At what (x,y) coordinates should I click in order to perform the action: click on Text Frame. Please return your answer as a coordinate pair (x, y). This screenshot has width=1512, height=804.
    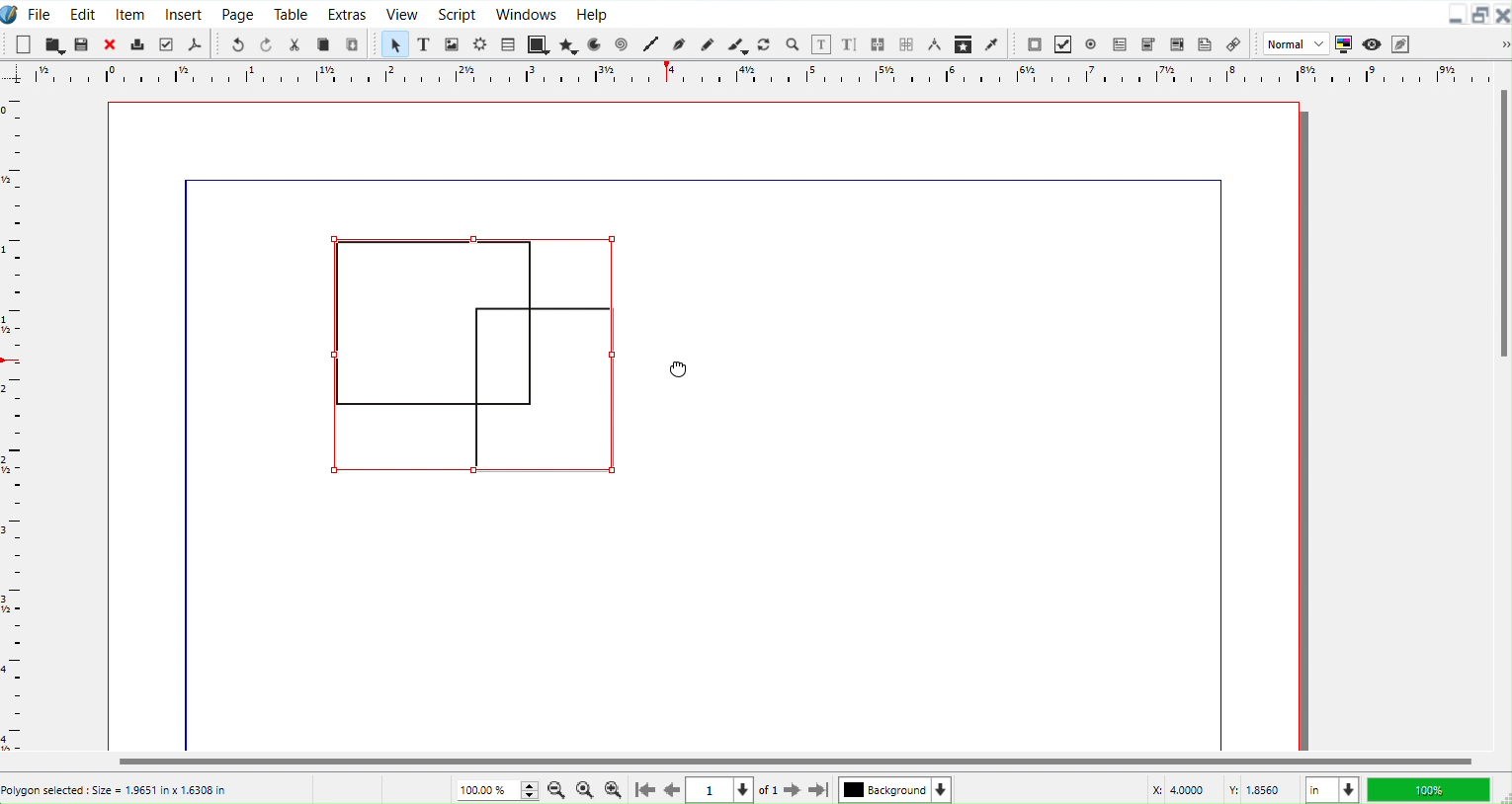
    Looking at the image, I should click on (425, 43).